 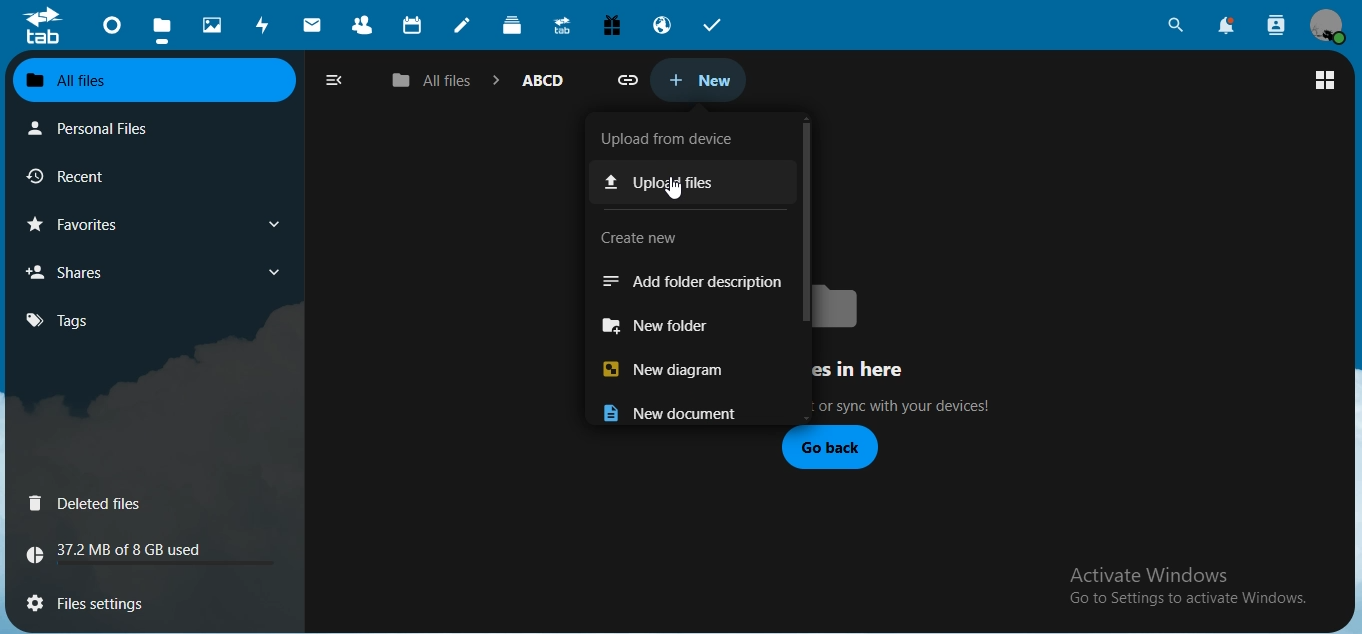 What do you see at coordinates (682, 369) in the screenshot?
I see `new diagram` at bounding box center [682, 369].